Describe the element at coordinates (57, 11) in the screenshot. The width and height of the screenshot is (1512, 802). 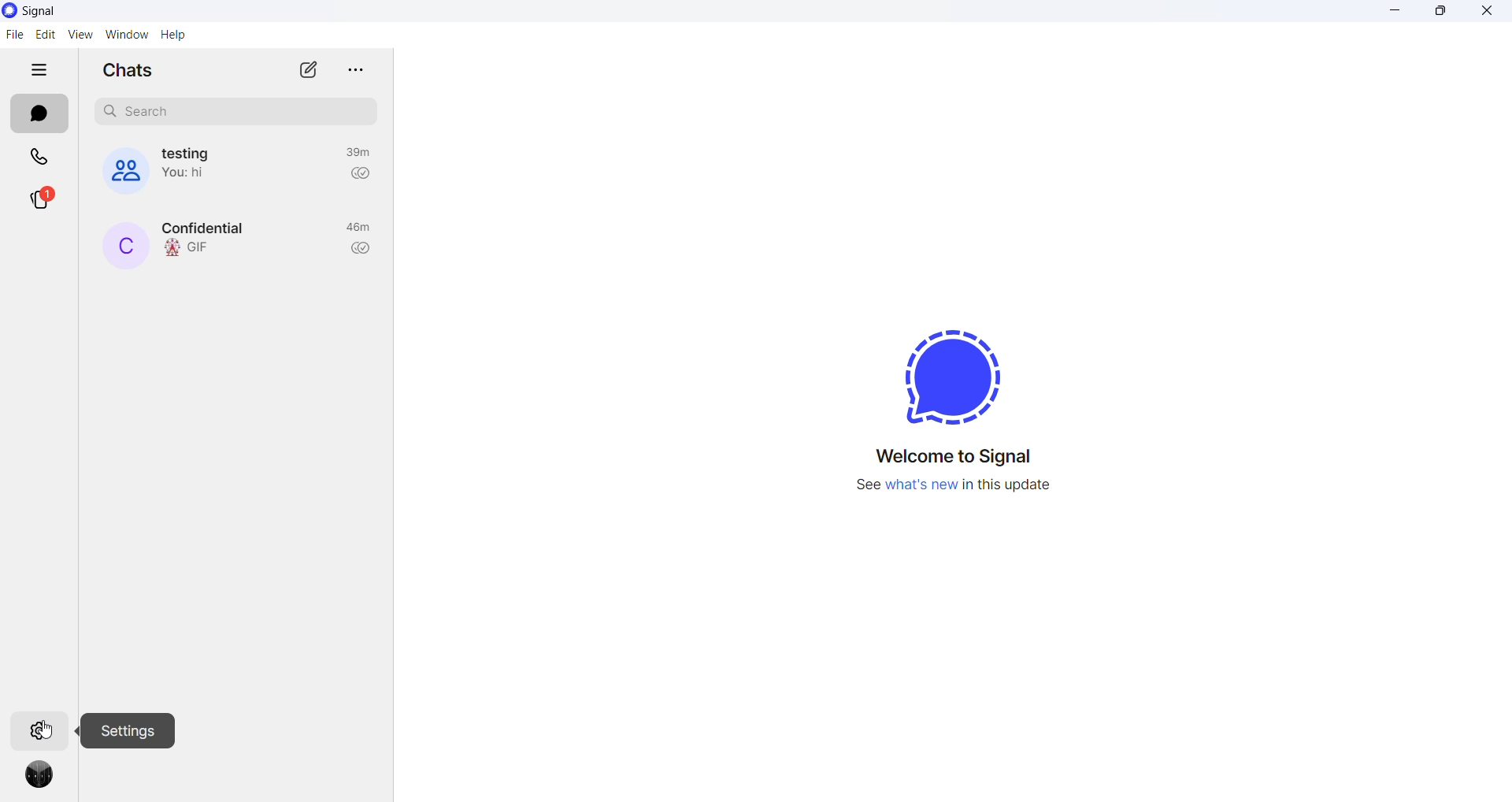
I see `application name and logo` at that location.